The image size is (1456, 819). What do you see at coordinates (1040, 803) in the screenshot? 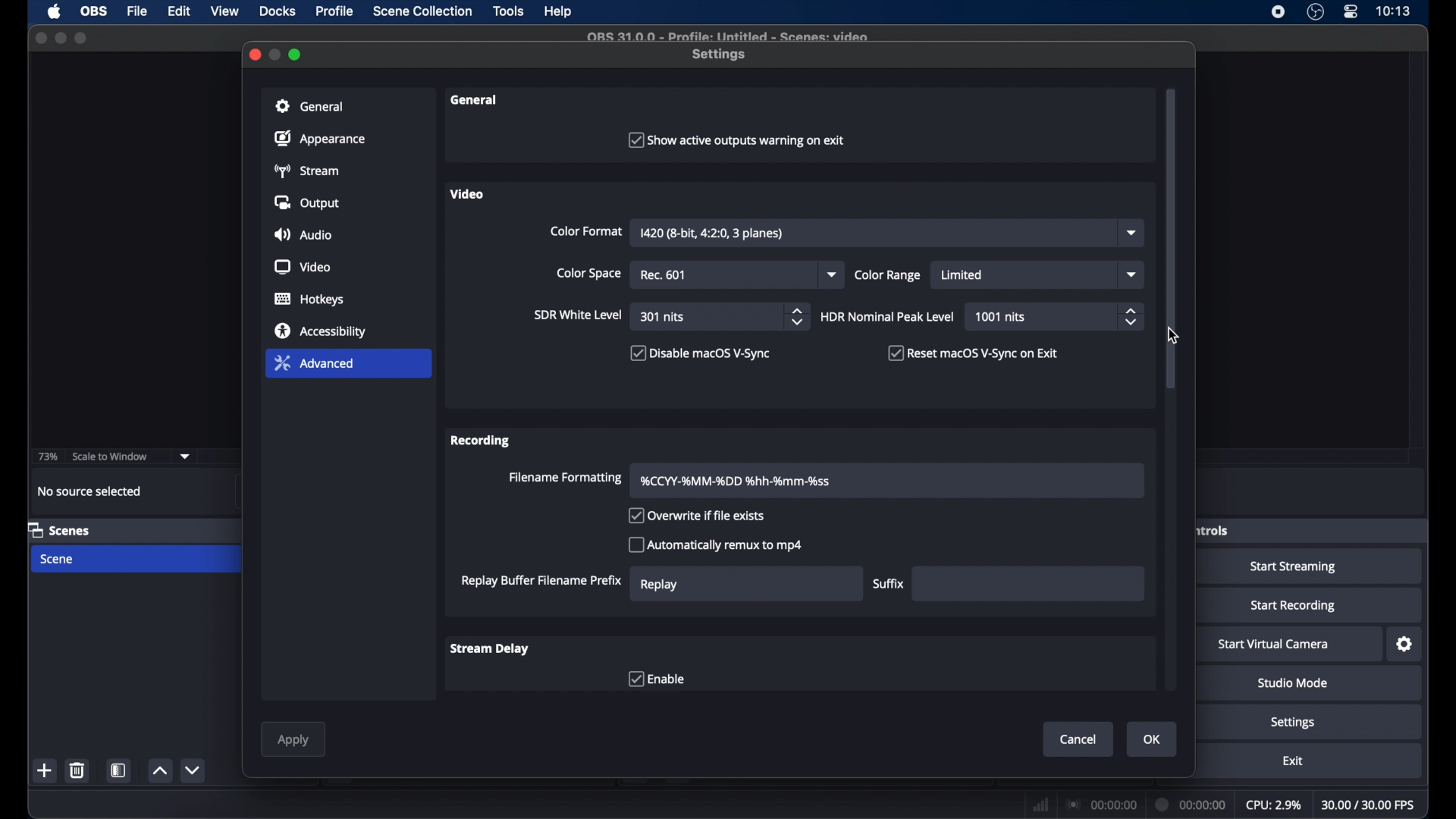
I see `network` at bounding box center [1040, 803].